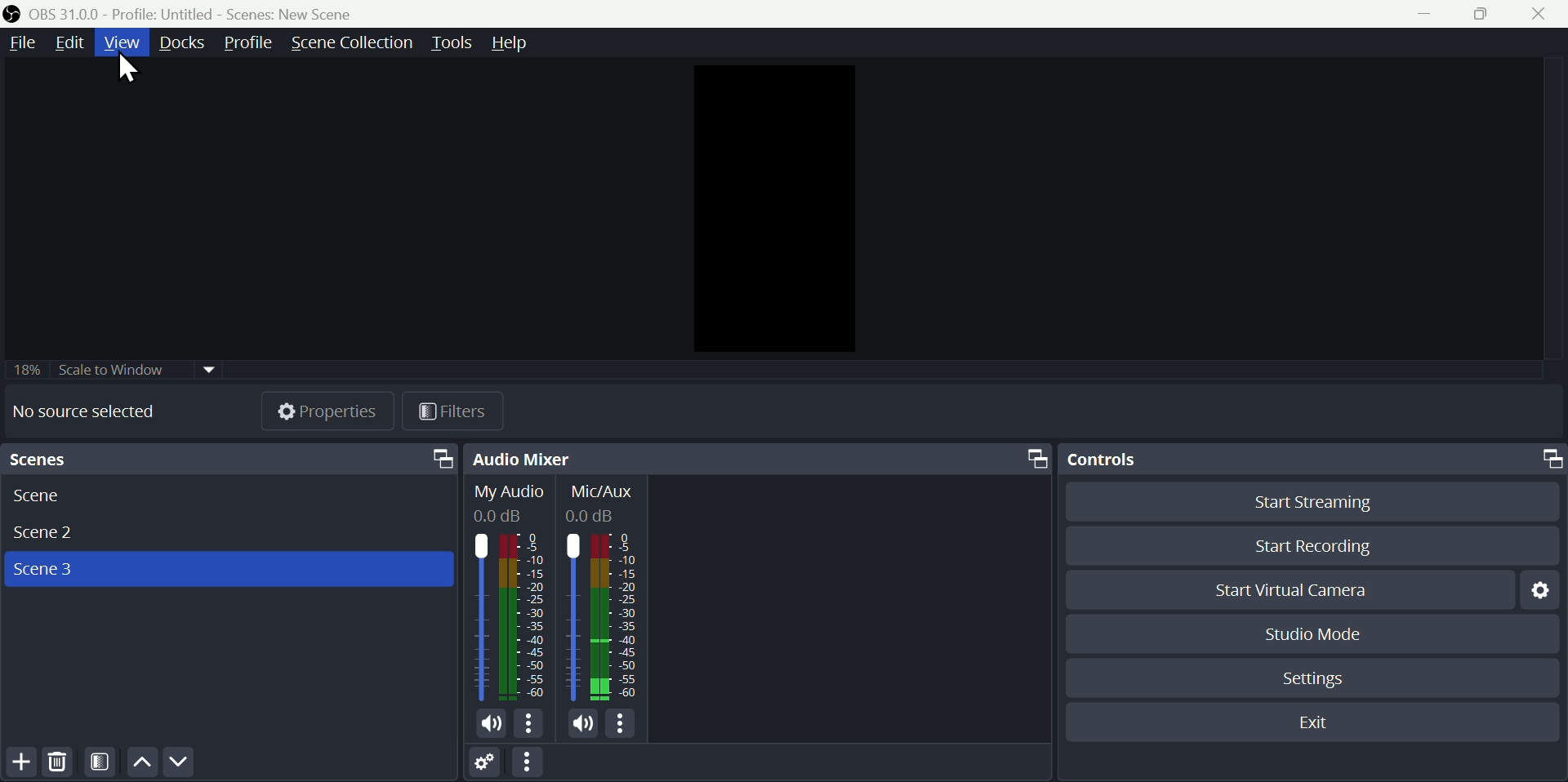  Describe the element at coordinates (328, 410) in the screenshot. I see `Properties` at that location.